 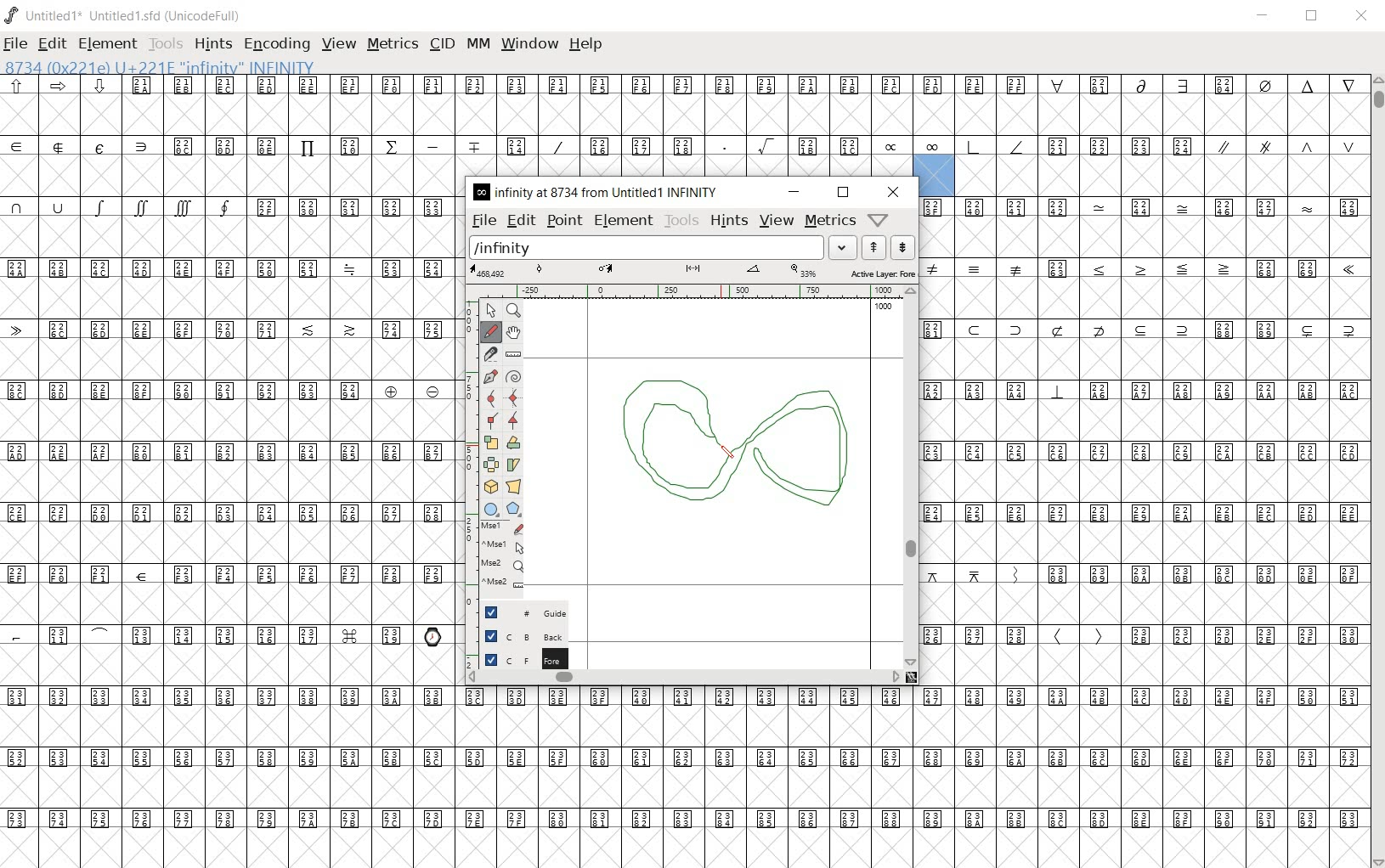 I want to click on Rotate the selection, so click(x=512, y=442).